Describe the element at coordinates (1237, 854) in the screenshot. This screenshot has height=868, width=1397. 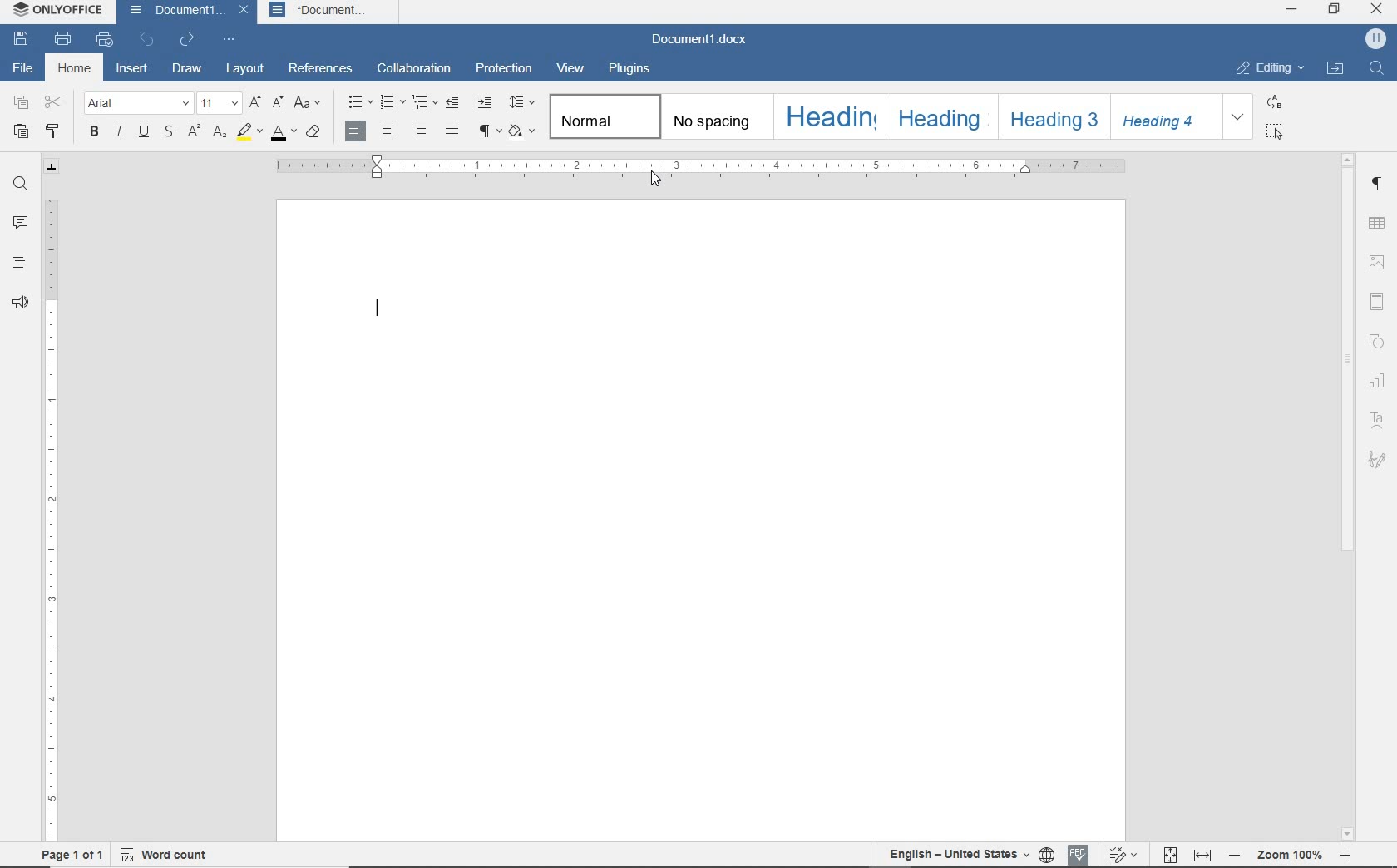
I see `zoom out` at that location.